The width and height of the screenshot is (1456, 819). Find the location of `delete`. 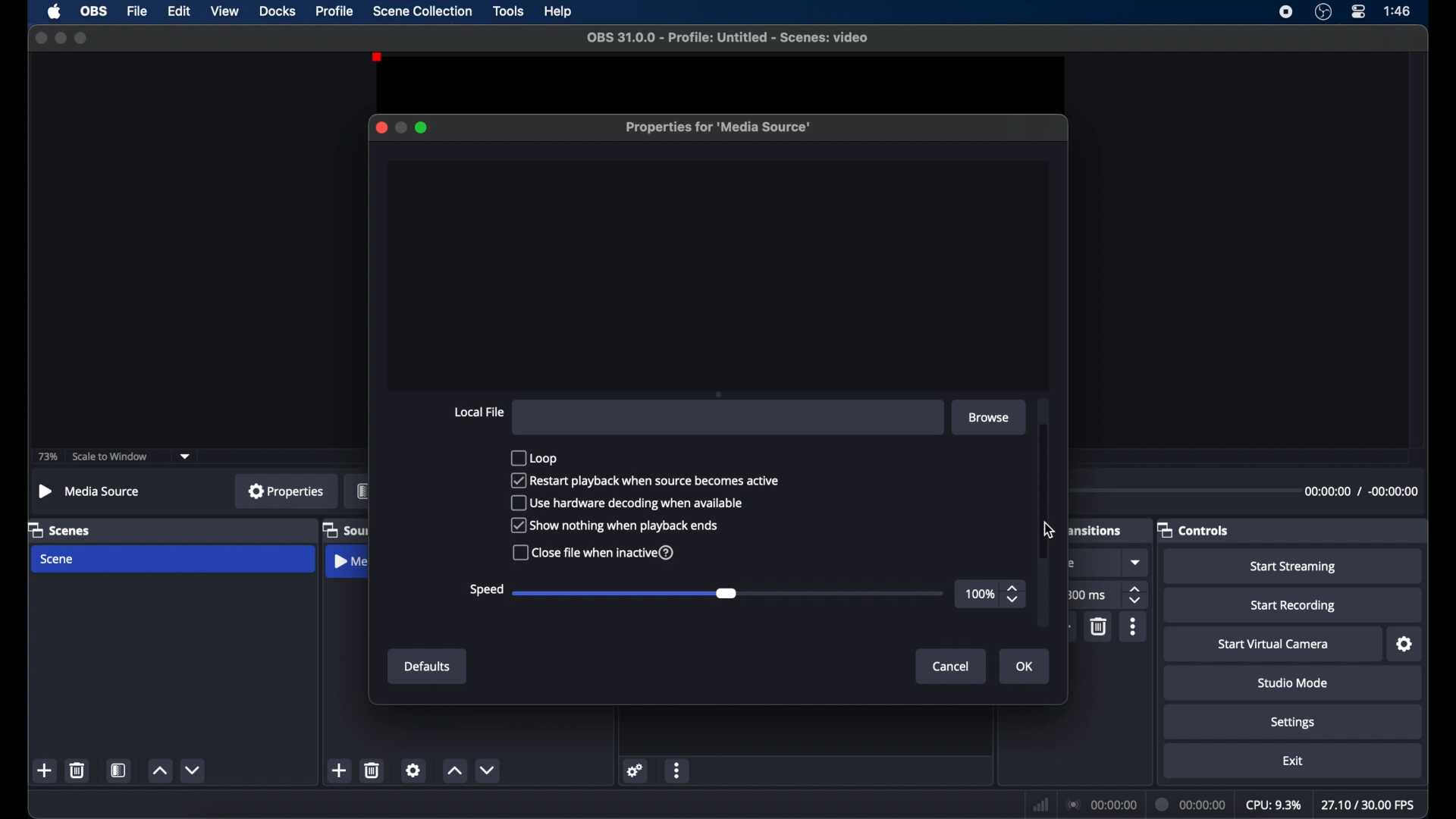

delete is located at coordinates (78, 770).